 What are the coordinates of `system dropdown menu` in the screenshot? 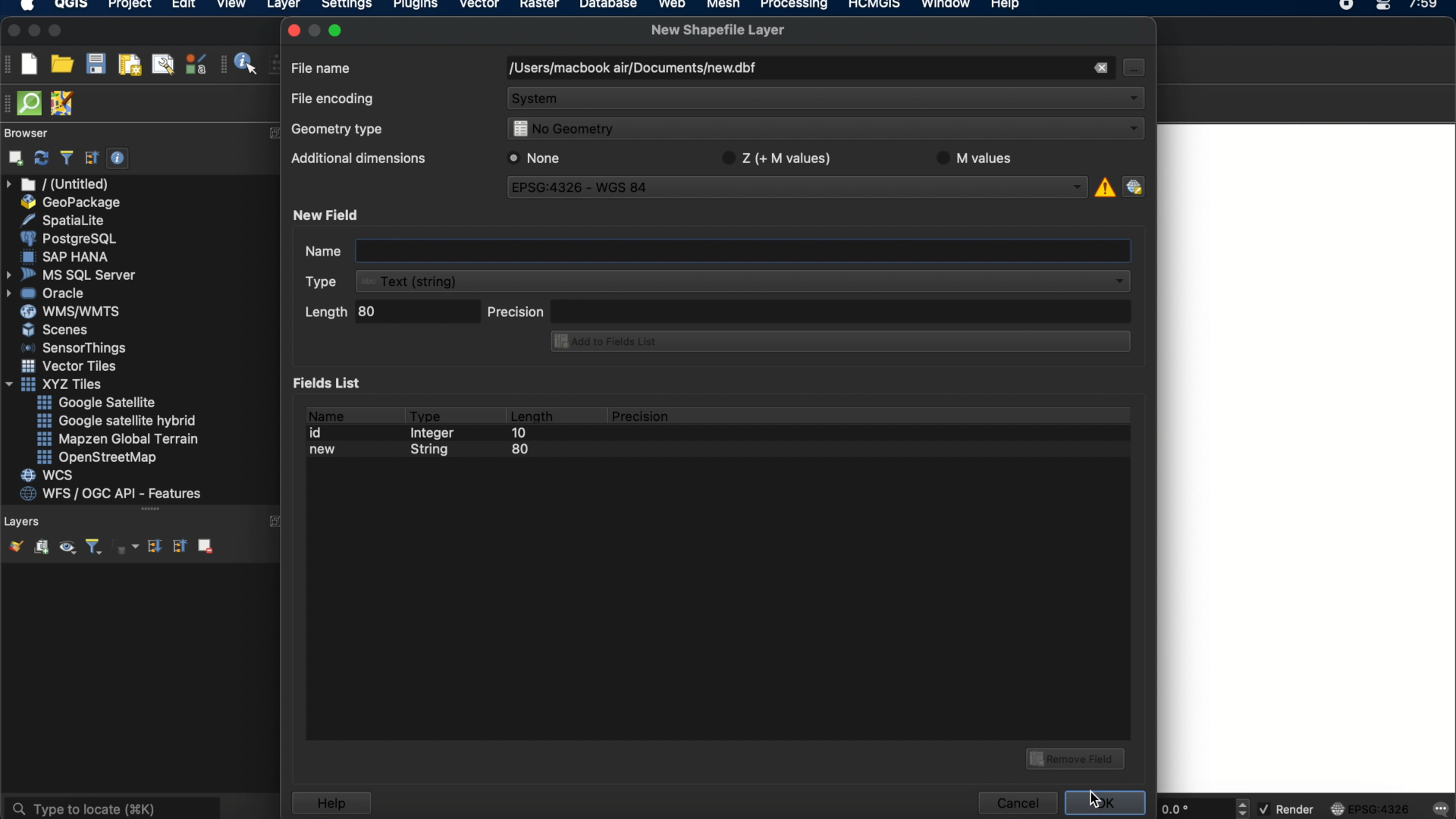 It's located at (827, 100).